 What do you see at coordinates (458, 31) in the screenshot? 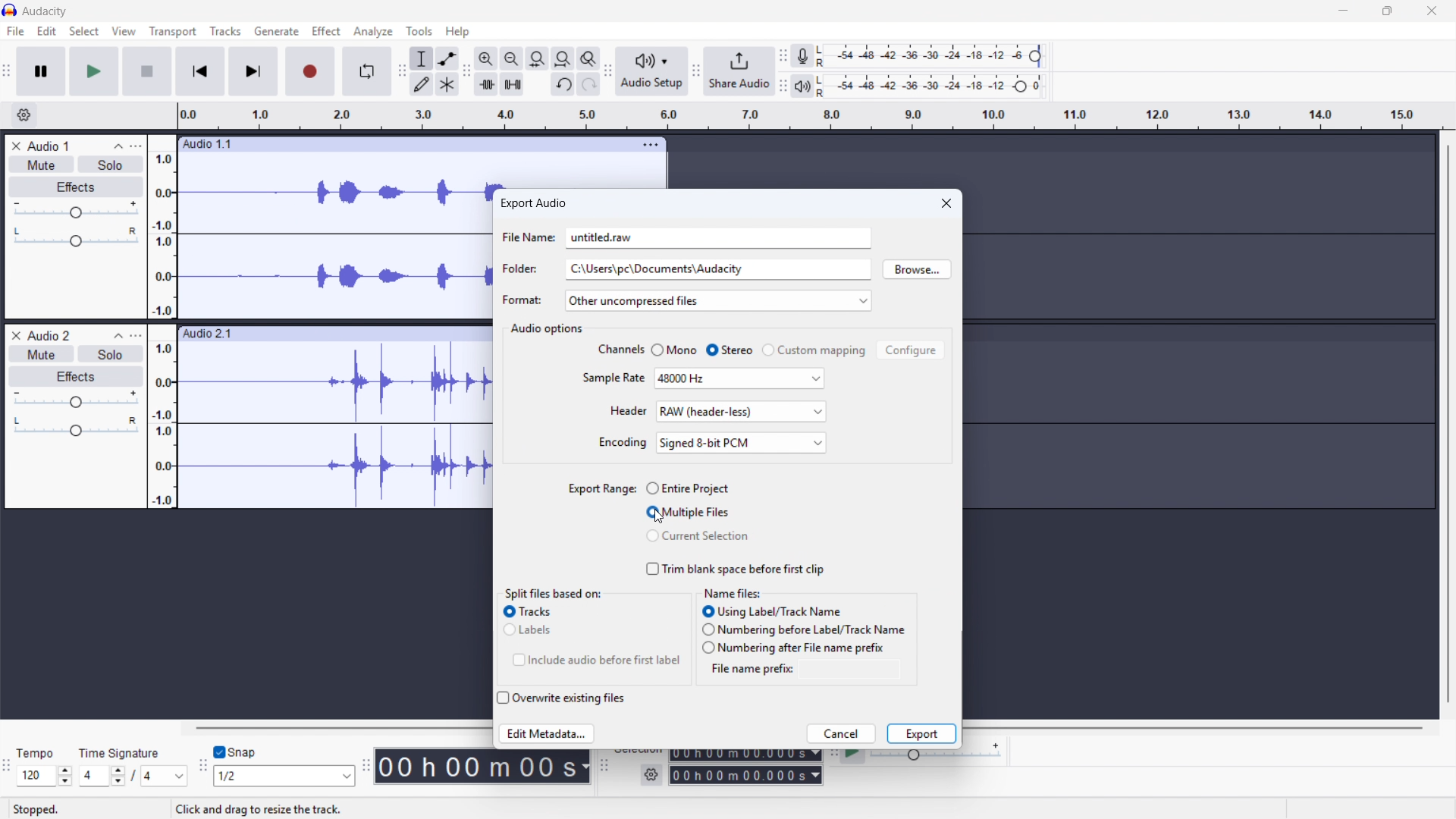
I see `help ` at bounding box center [458, 31].